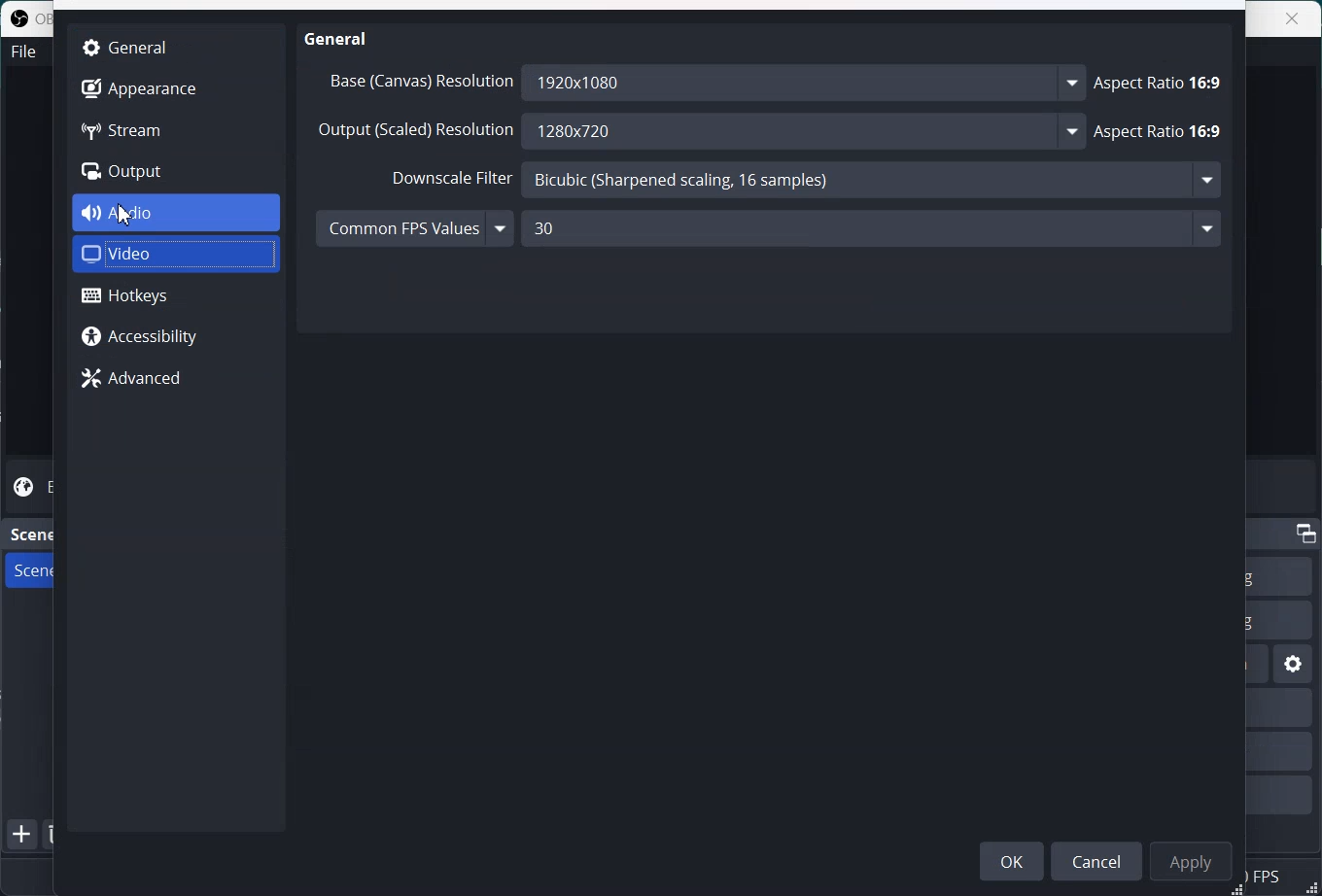 The width and height of the screenshot is (1322, 896). What do you see at coordinates (1011, 860) in the screenshot?
I see `OK` at bounding box center [1011, 860].